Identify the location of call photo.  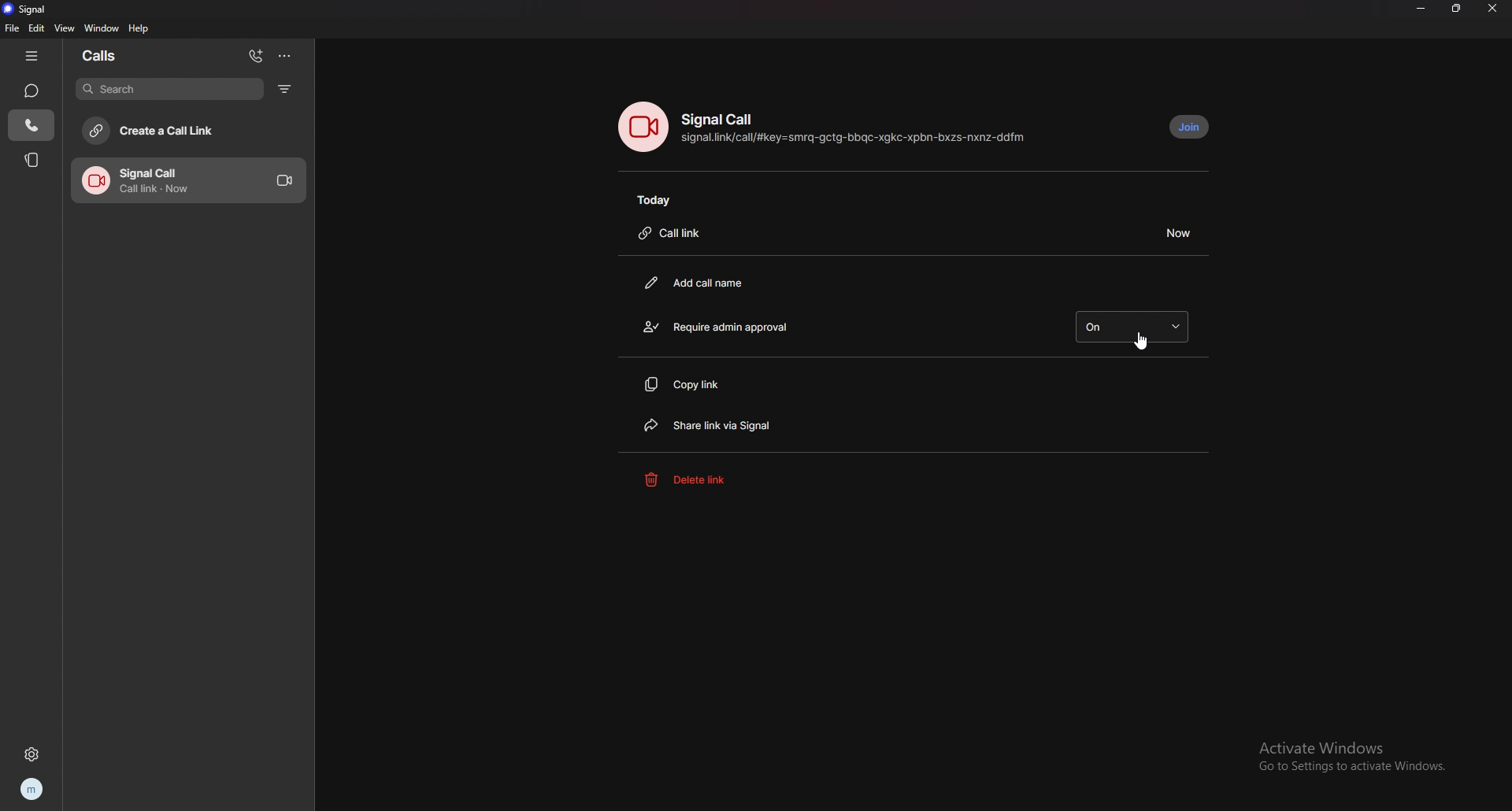
(645, 126).